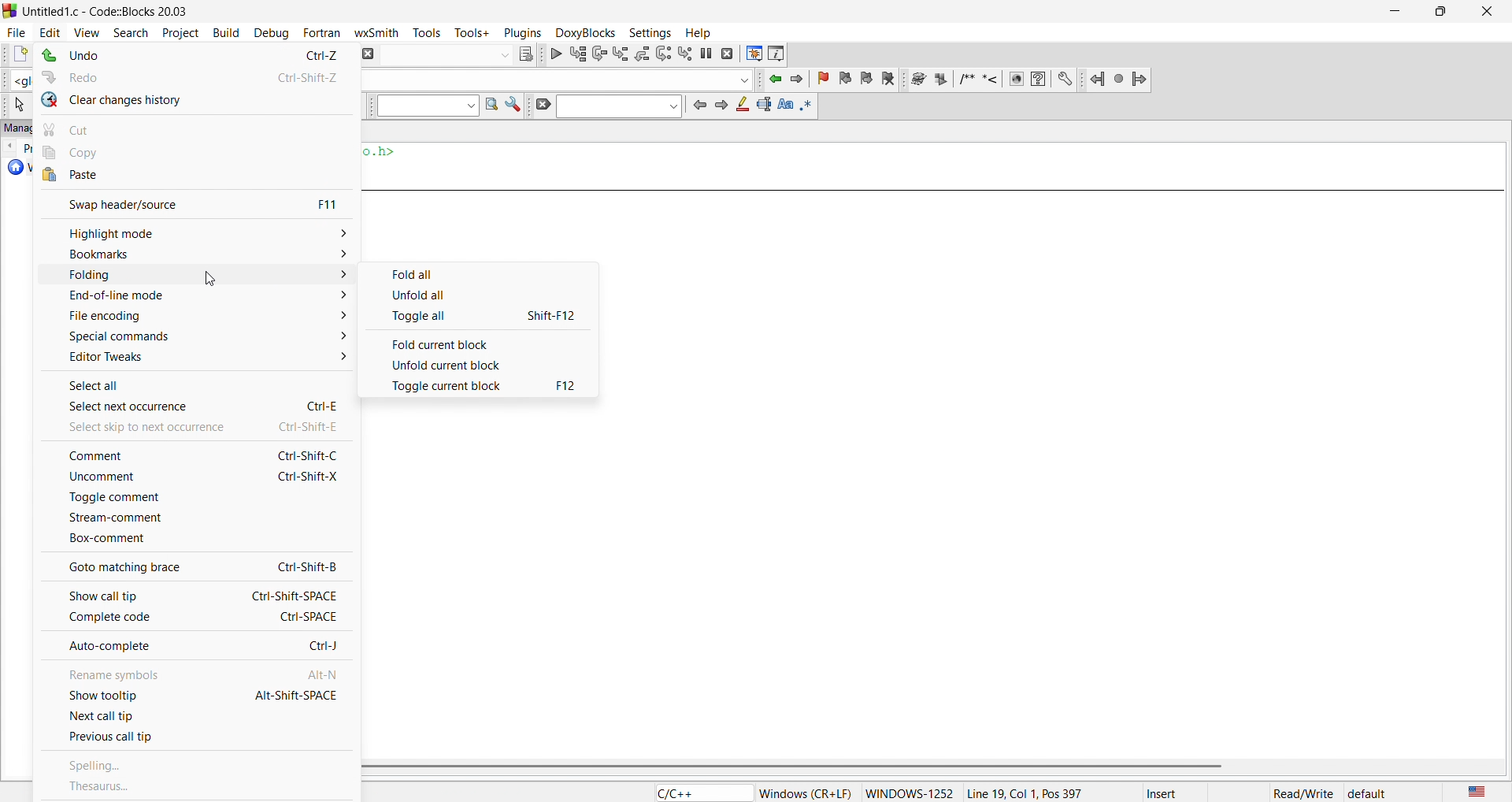 The image size is (1512, 802). Describe the element at coordinates (1141, 77) in the screenshot. I see `jump forward` at that location.